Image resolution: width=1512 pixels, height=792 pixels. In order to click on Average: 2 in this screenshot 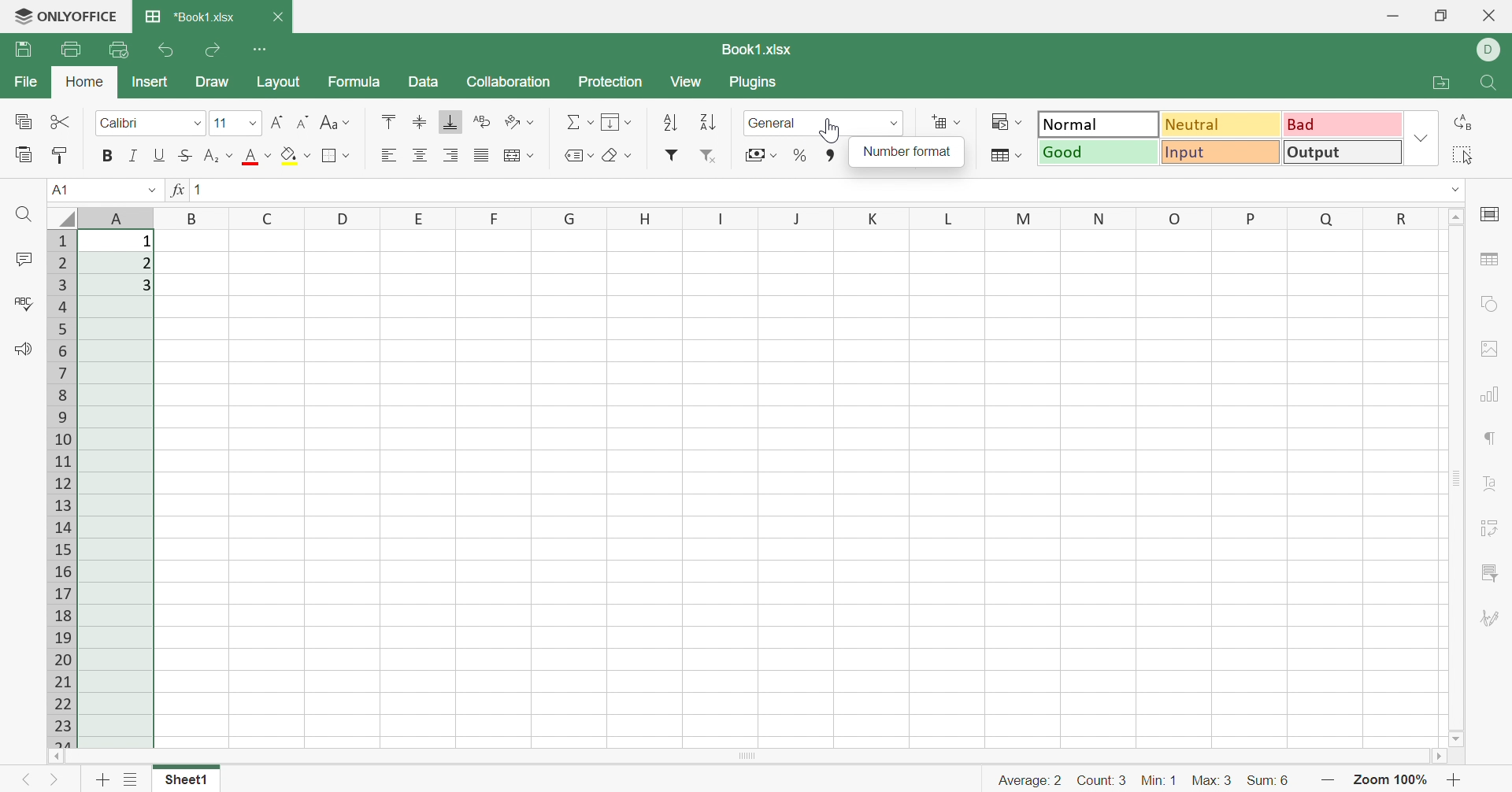, I will do `click(1030, 780)`.